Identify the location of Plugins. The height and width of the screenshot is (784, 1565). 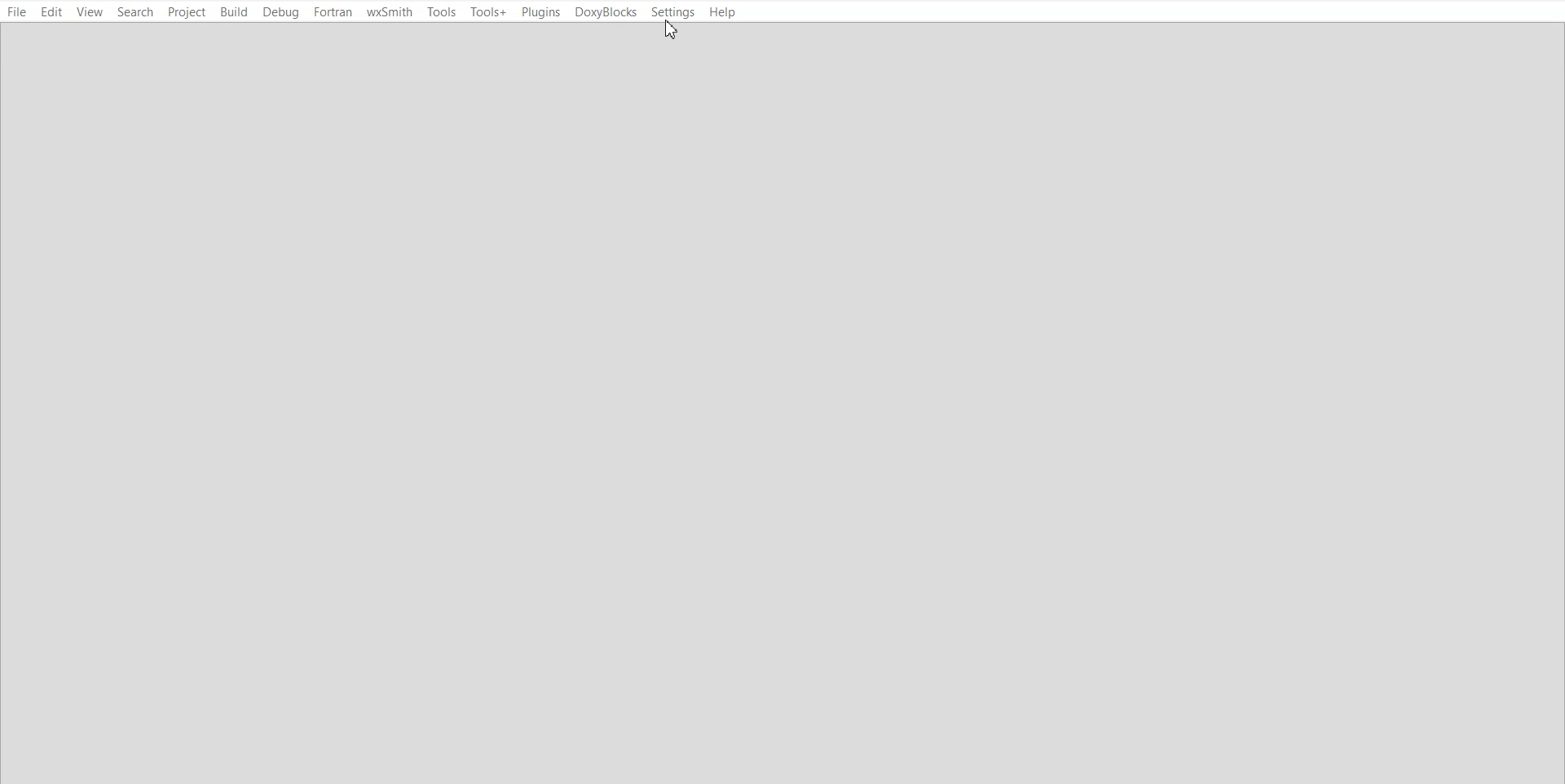
(541, 12).